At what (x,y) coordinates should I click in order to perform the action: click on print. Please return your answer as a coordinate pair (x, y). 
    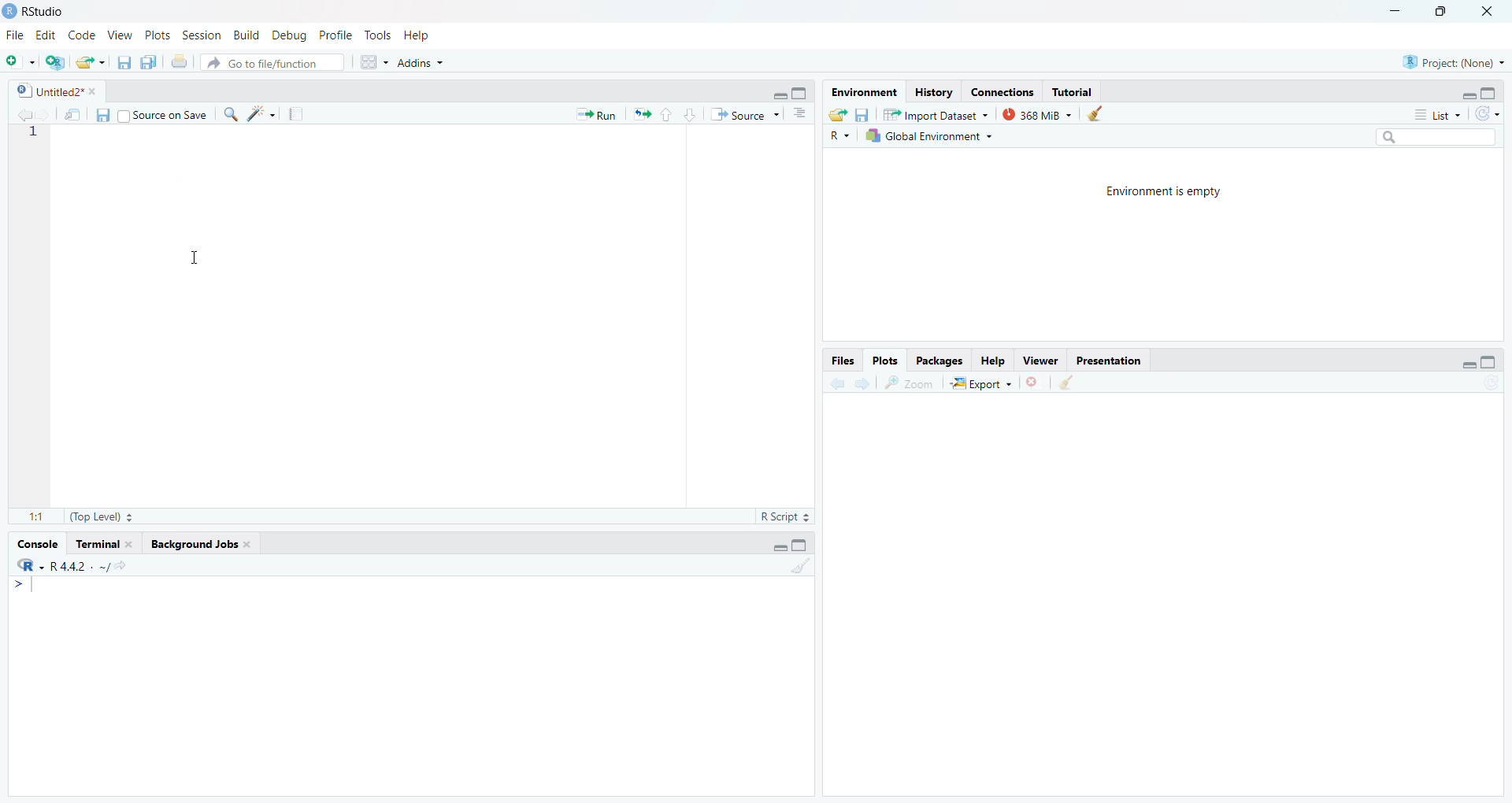
    Looking at the image, I should click on (181, 65).